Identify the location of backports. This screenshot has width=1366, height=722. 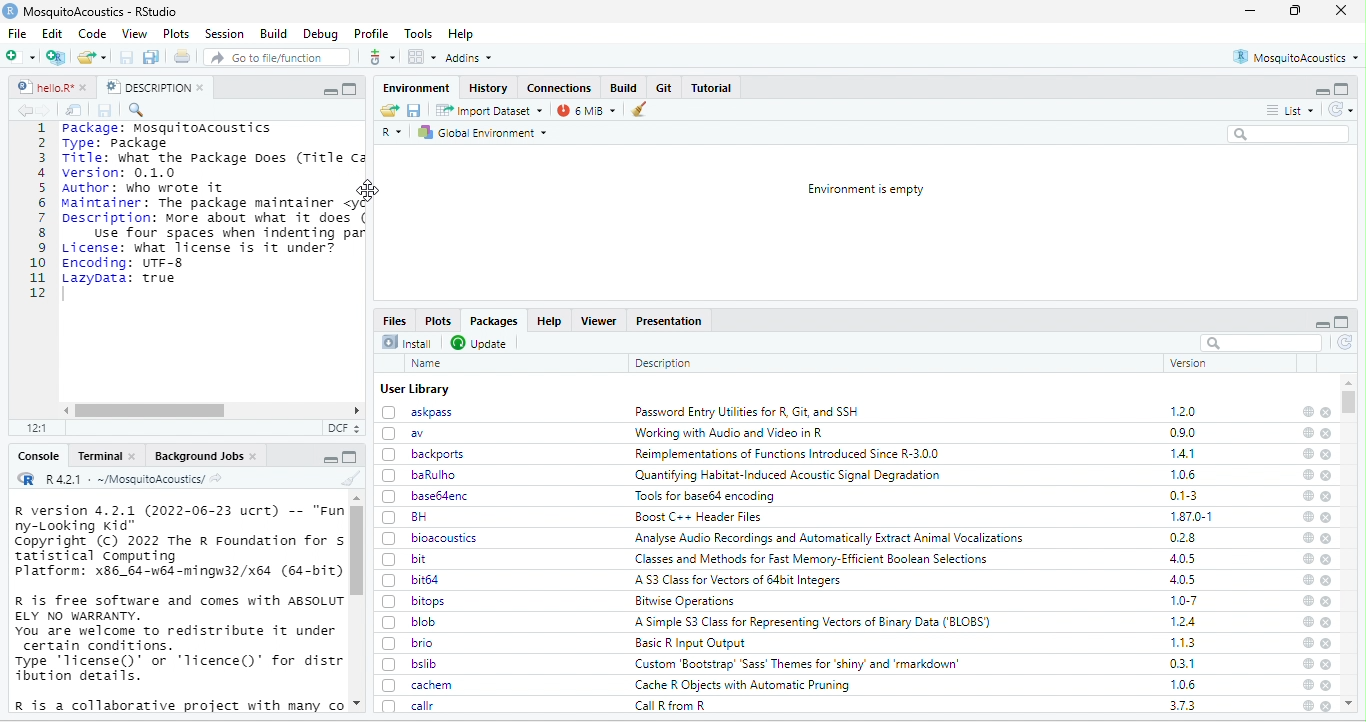
(423, 454).